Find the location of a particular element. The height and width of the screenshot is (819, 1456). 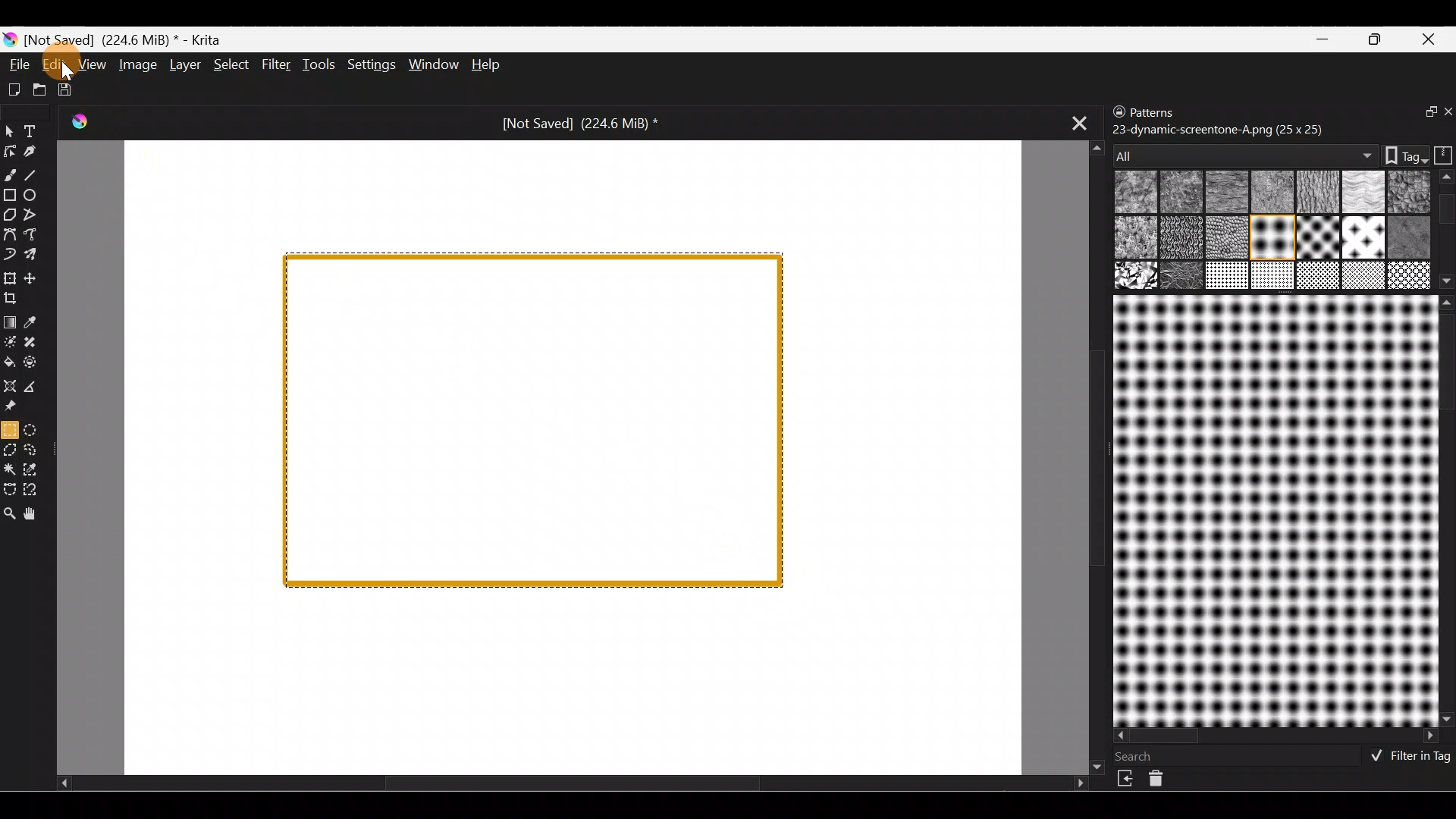

Colourise mask tool is located at coordinates (9, 341).